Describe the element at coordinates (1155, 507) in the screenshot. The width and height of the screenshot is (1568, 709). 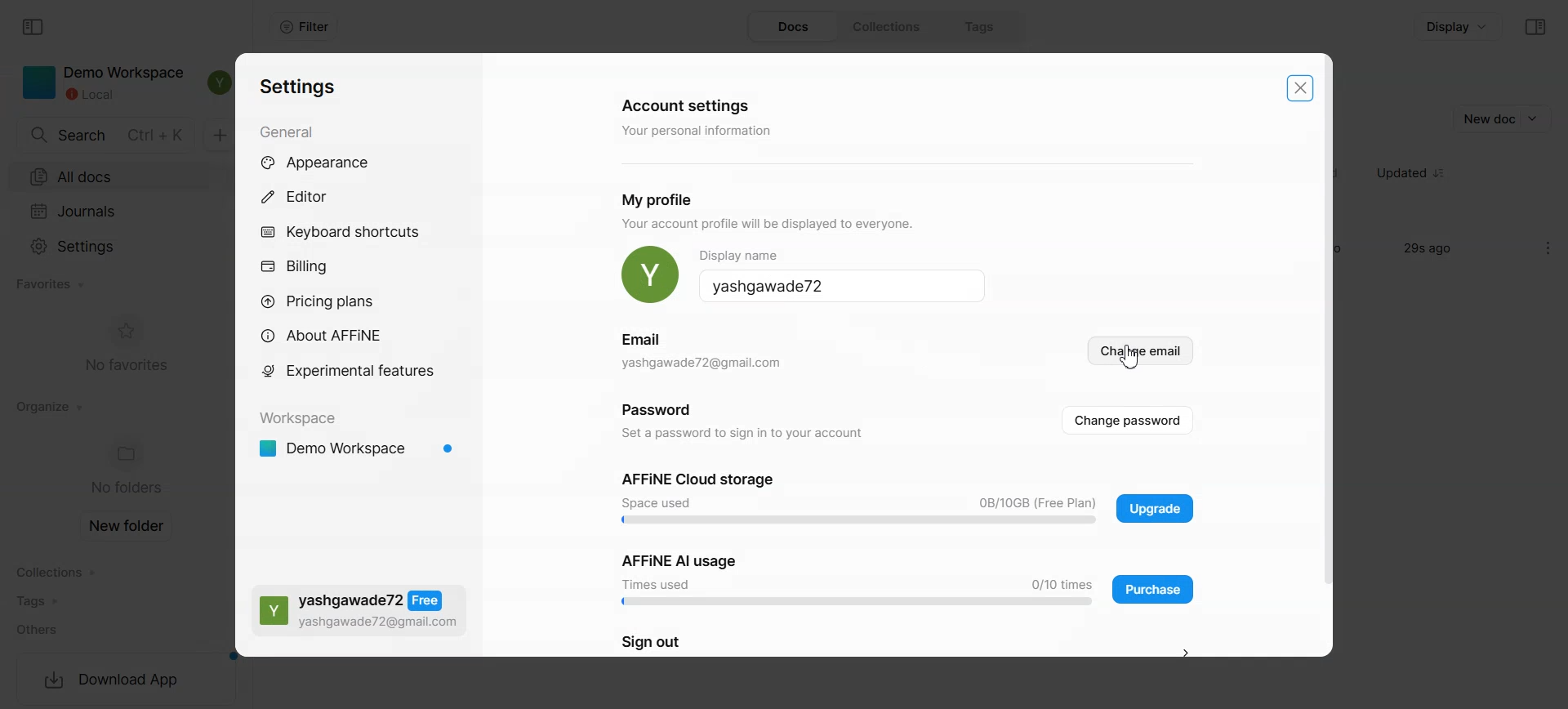
I see `Affine cloud storage upgrade` at that location.